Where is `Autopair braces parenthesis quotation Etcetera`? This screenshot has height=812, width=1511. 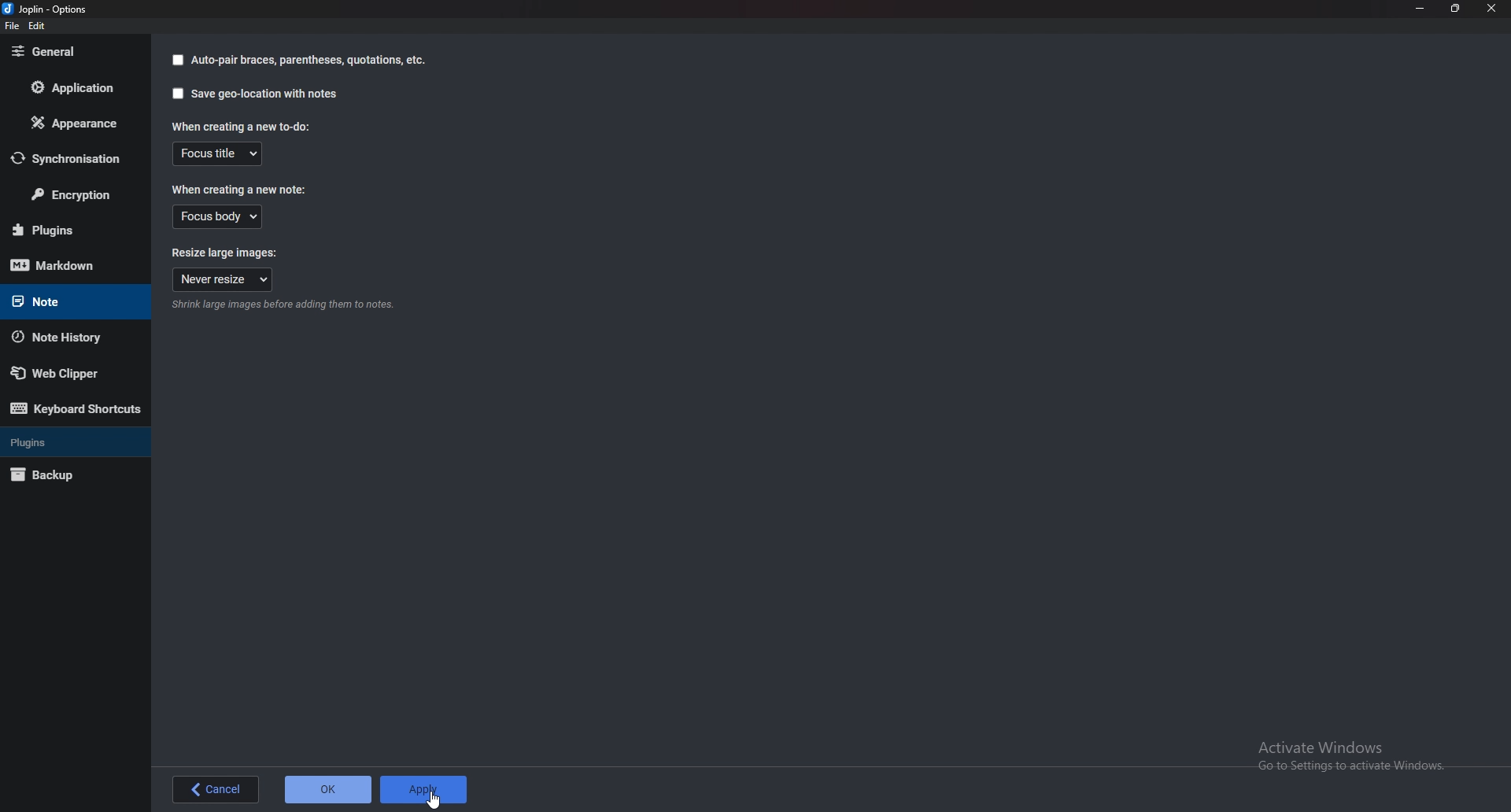 Autopair braces parenthesis quotation Etcetera is located at coordinates (310, 60).